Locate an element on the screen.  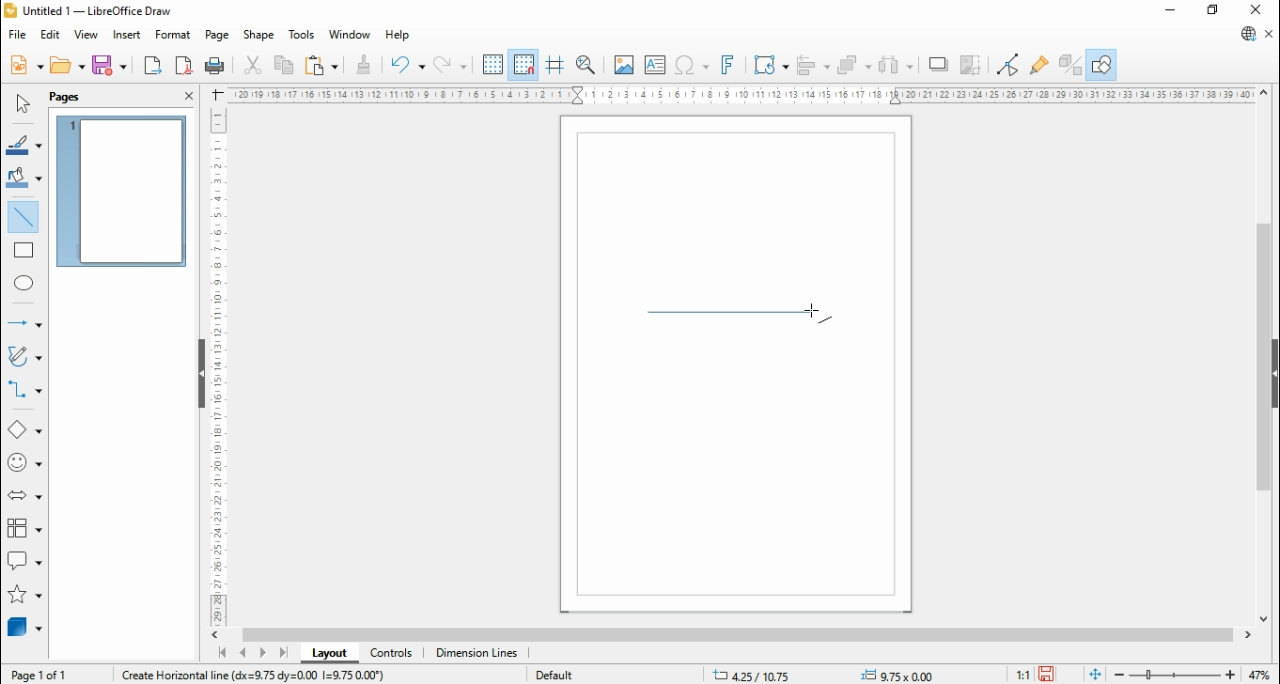
next page is located at coordinates (262, 652).